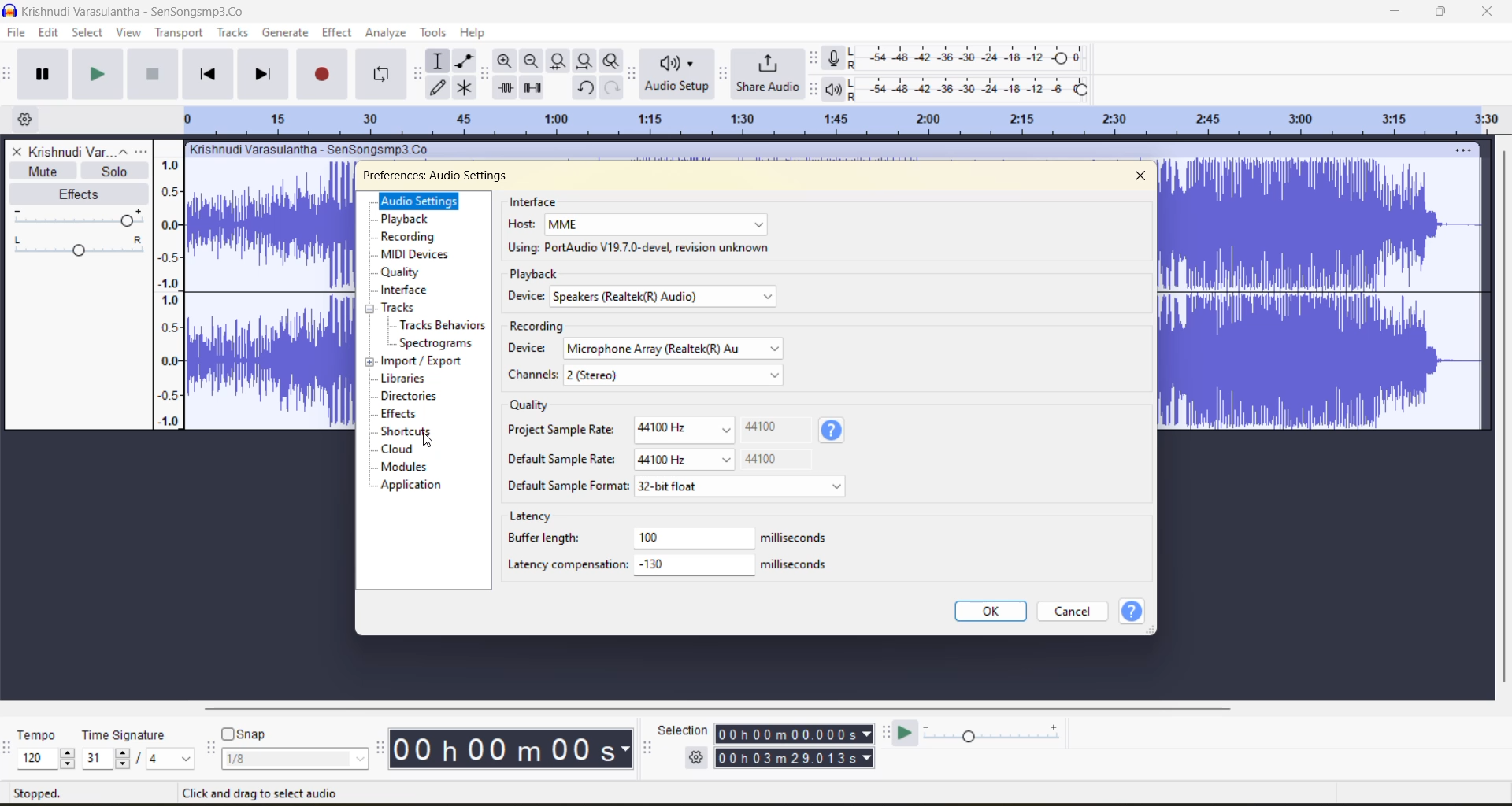  Describe the element at coordinates (420, 432) in the screenshot. I see `shortcuts` at that location.